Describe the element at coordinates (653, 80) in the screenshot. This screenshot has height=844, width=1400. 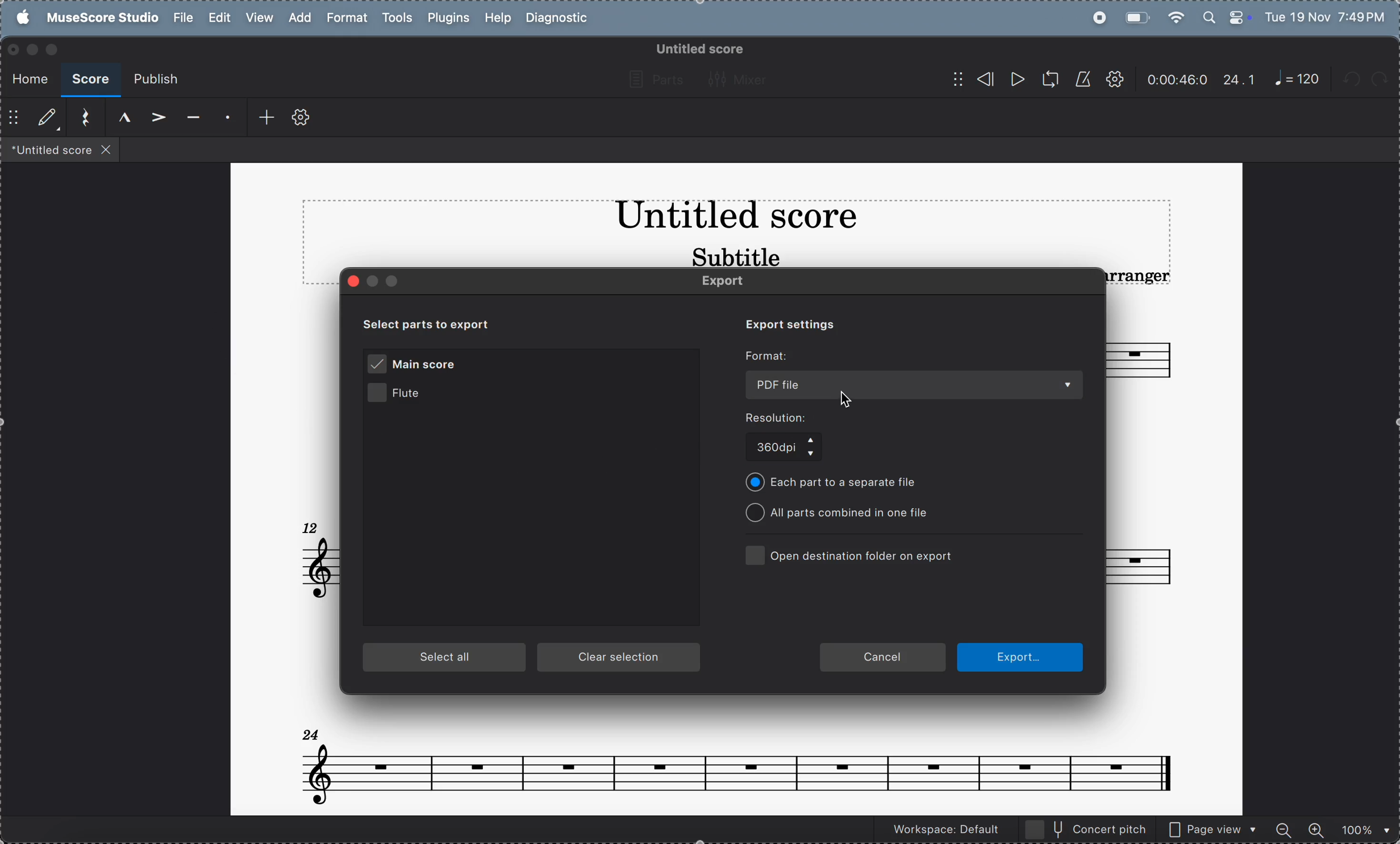
I see `parts` at that location.